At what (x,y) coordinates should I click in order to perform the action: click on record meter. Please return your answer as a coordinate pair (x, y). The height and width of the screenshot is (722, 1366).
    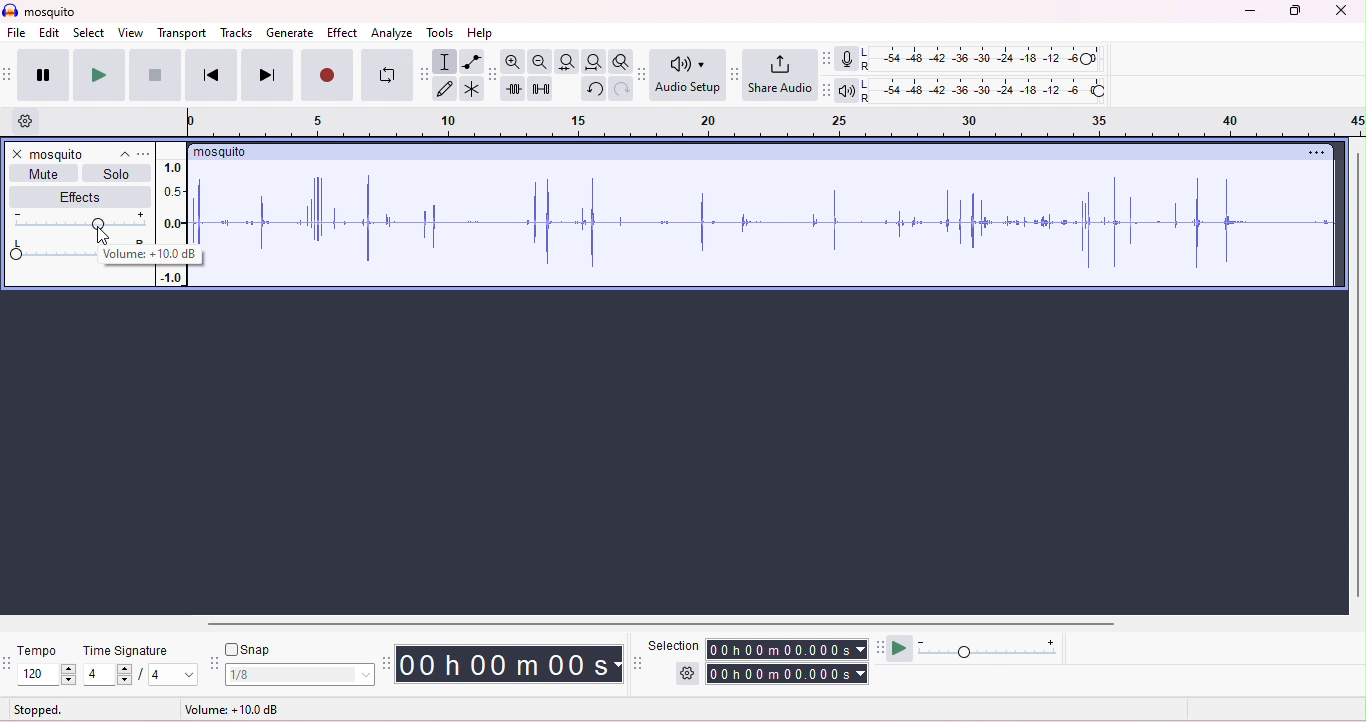
    Looking at the image, I should click on (849, 60).